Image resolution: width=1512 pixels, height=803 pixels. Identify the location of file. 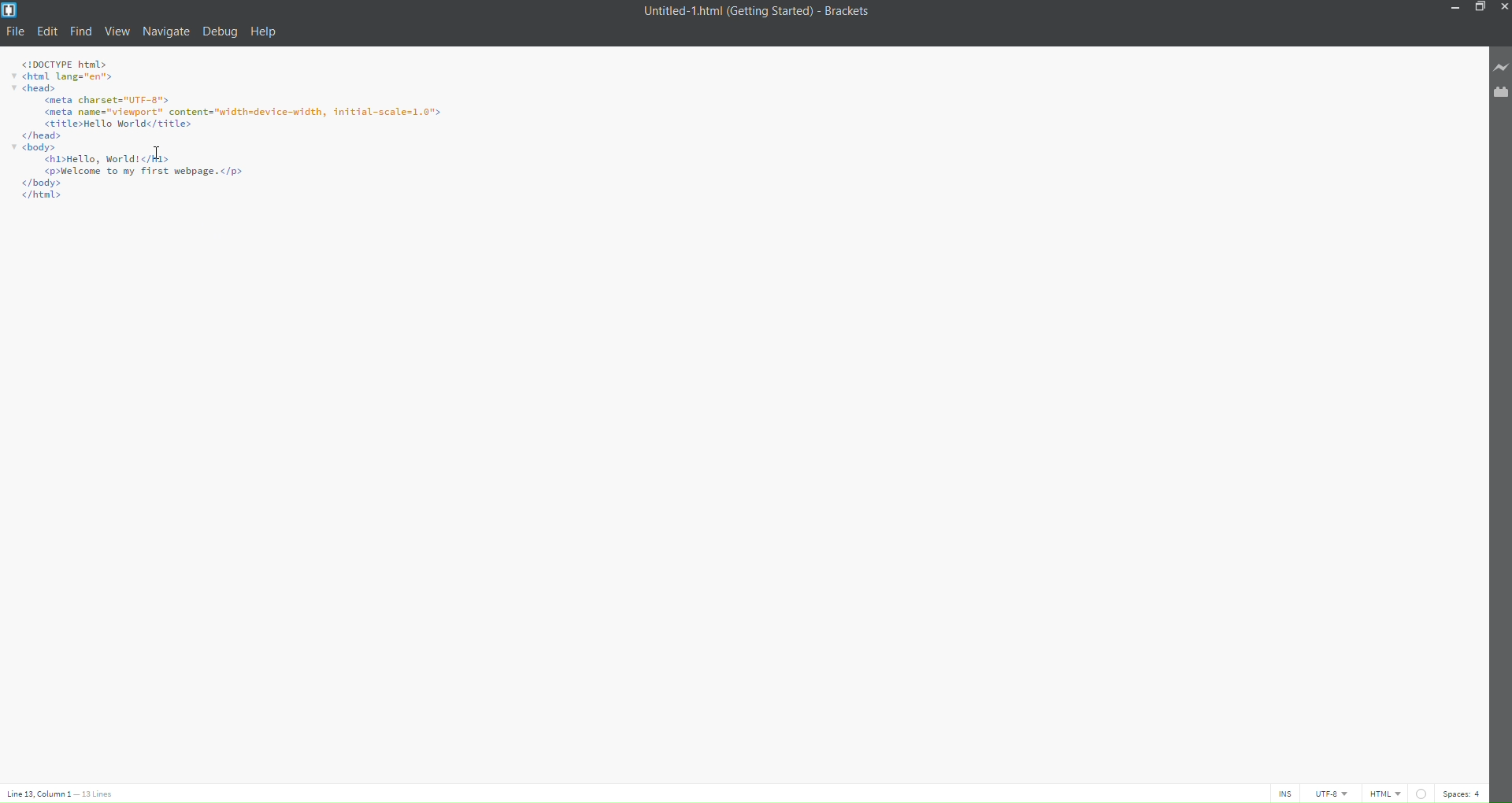
(17, 31).